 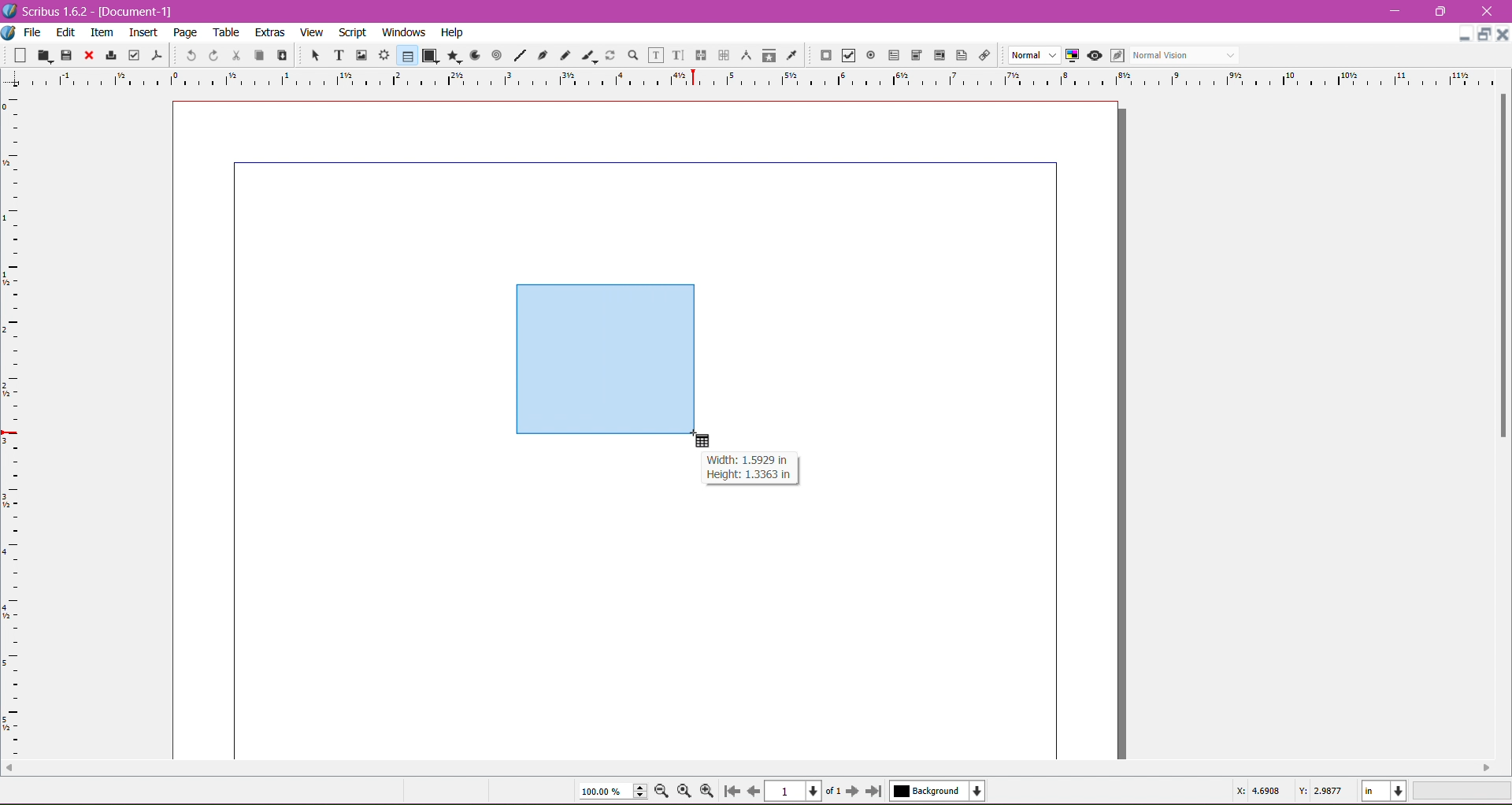 I want to click on Line, so click(x=517, y=56).